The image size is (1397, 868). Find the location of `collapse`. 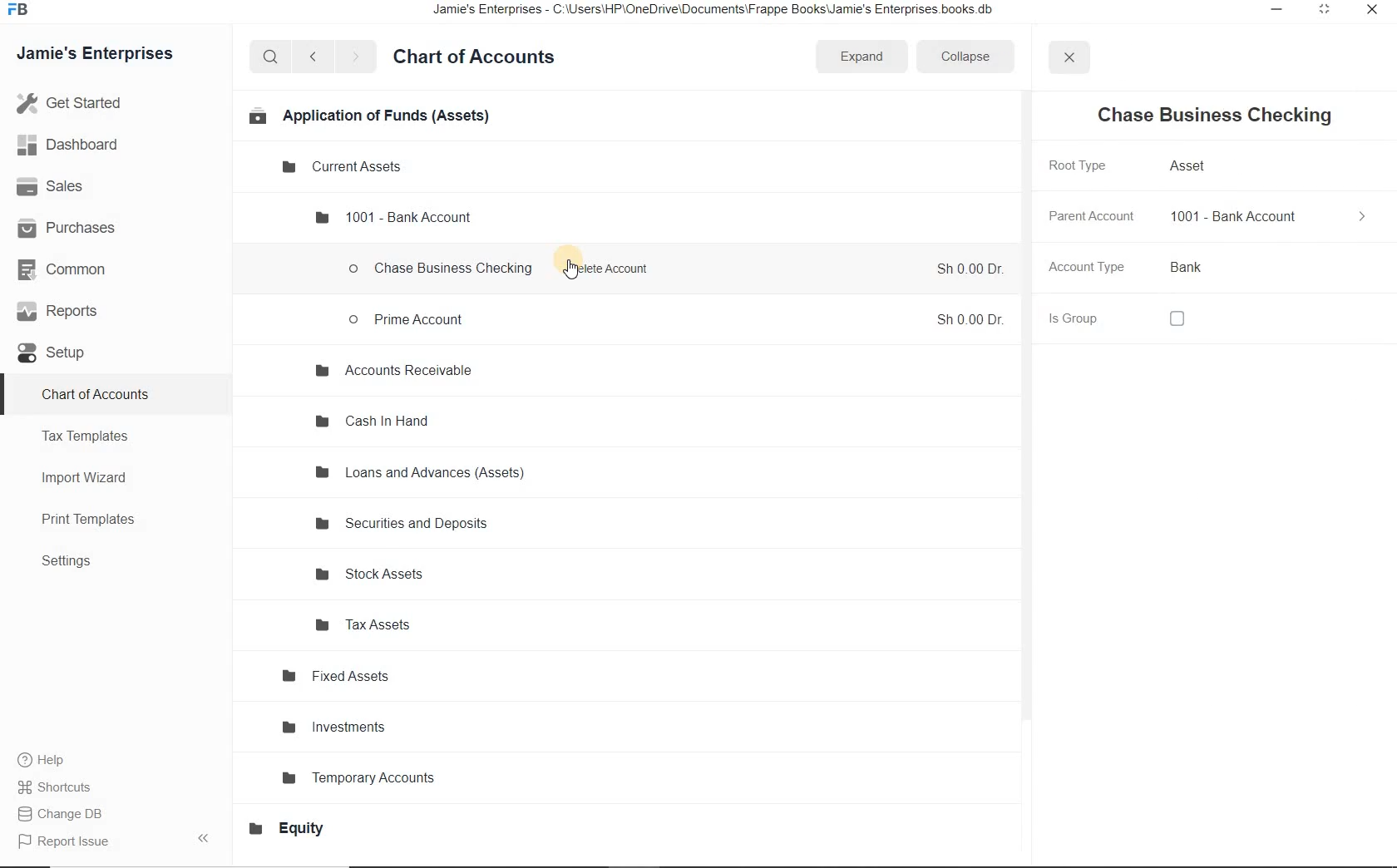

collapse is located at coordinates (1363, 216).